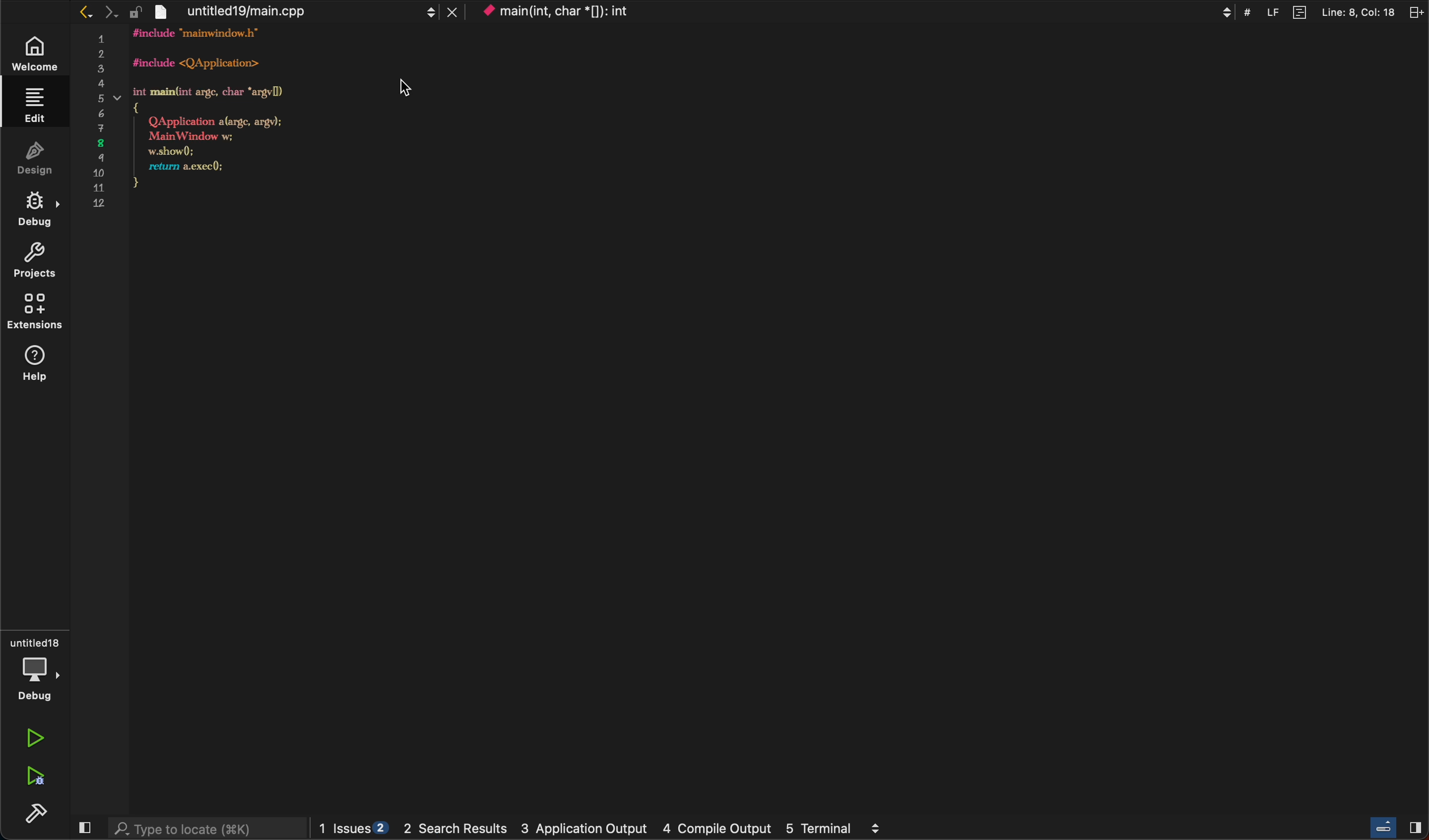 This screenshot has width=1429, height=840. Describe the element at coordinates (31, 739) in the screenshot. I see `run` at that location.